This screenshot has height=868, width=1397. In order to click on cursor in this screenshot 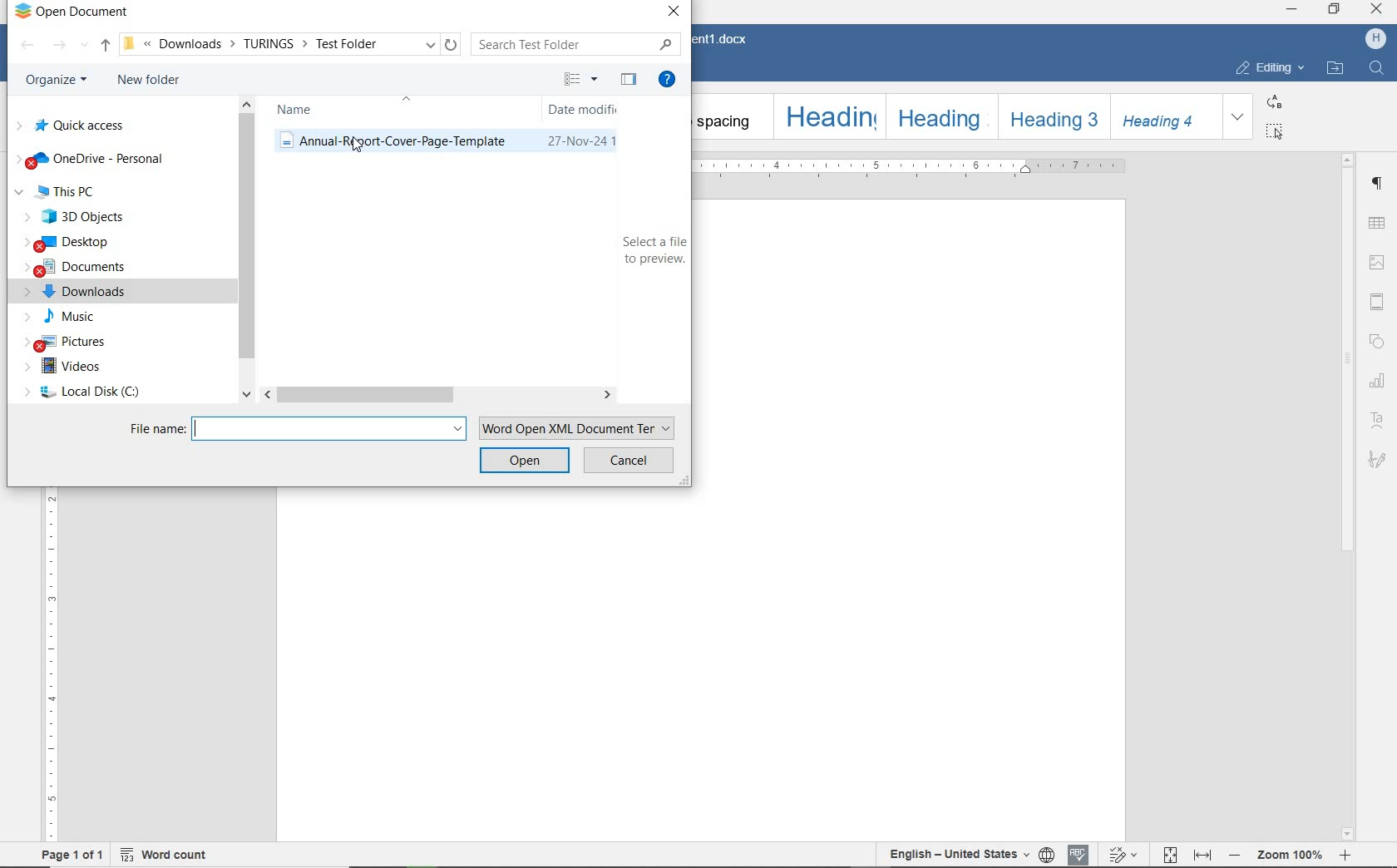, I will do `click(357, 147)`.